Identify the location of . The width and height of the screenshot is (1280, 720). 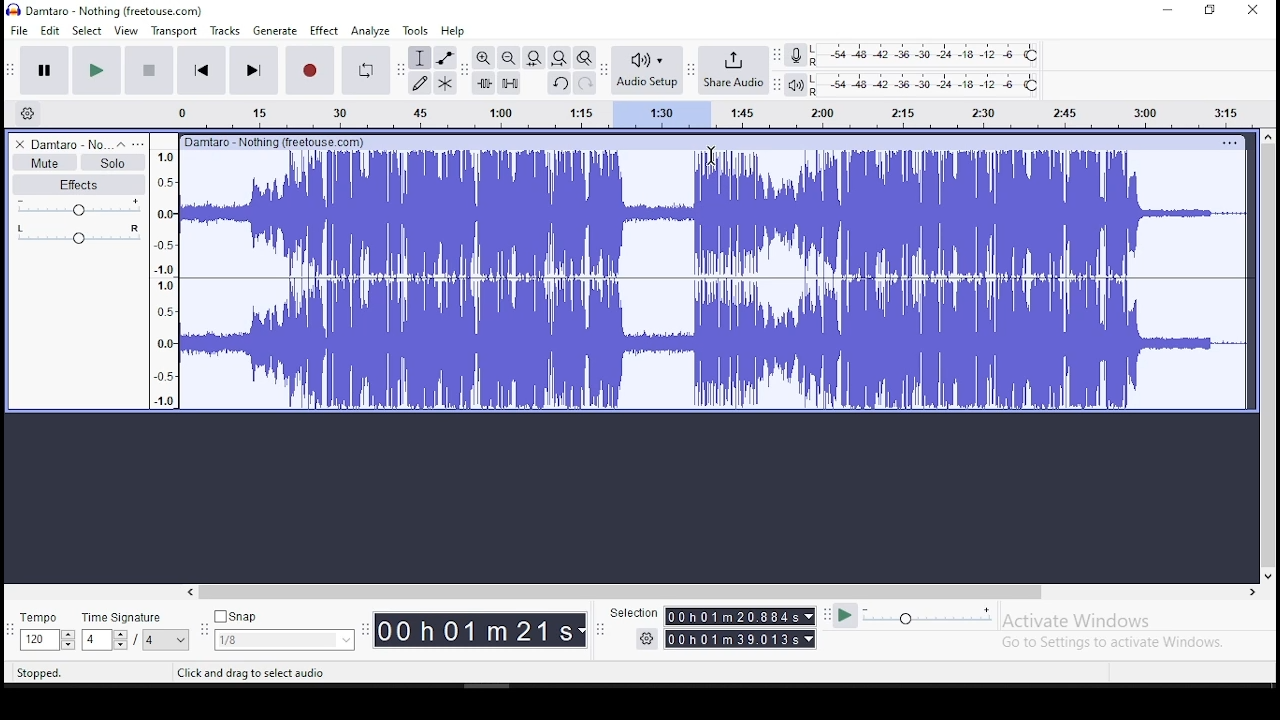
(690, 70).